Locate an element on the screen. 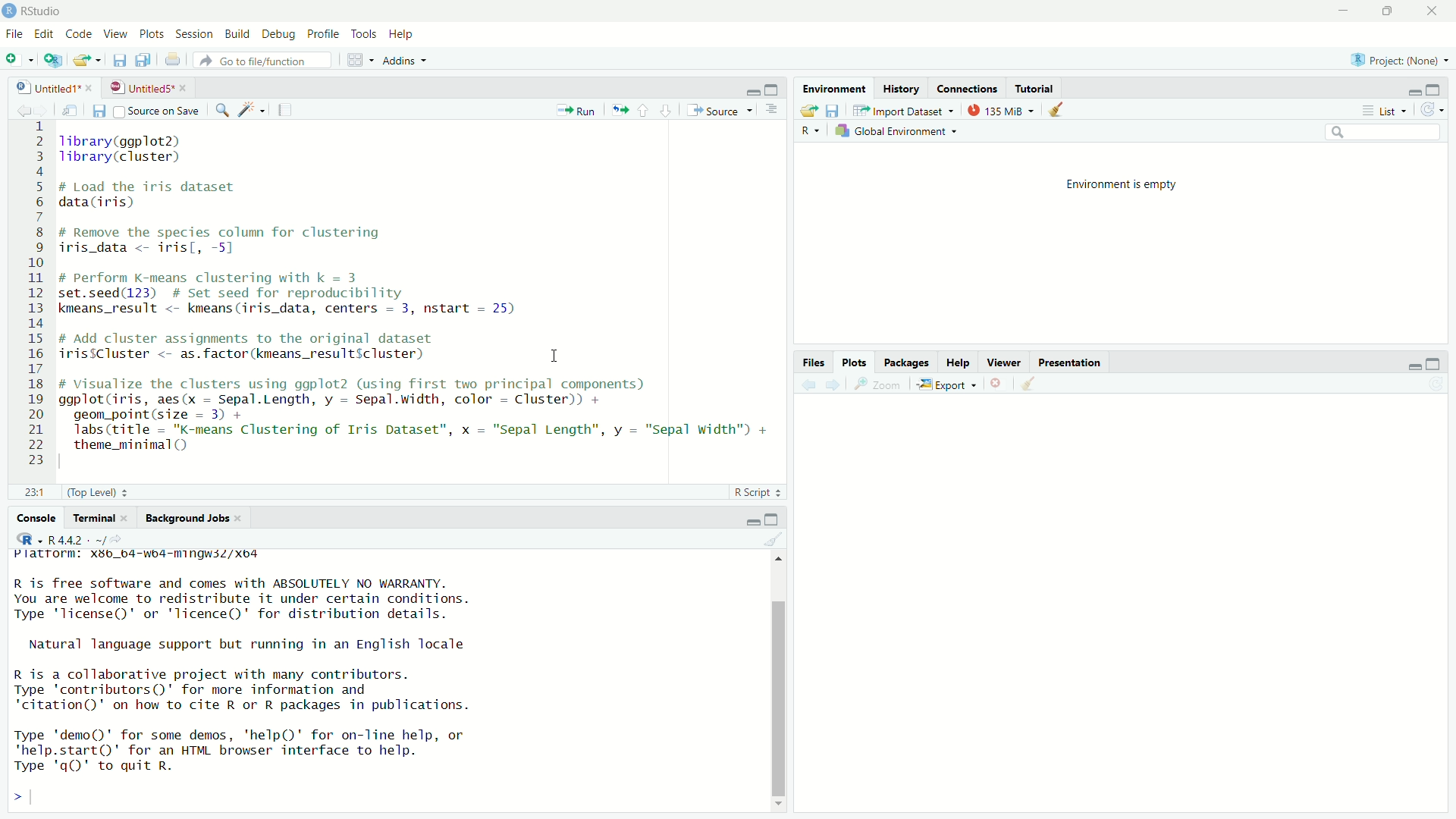 This screenshot has width=1456, height=819. close is located at coordinates (187, 87).